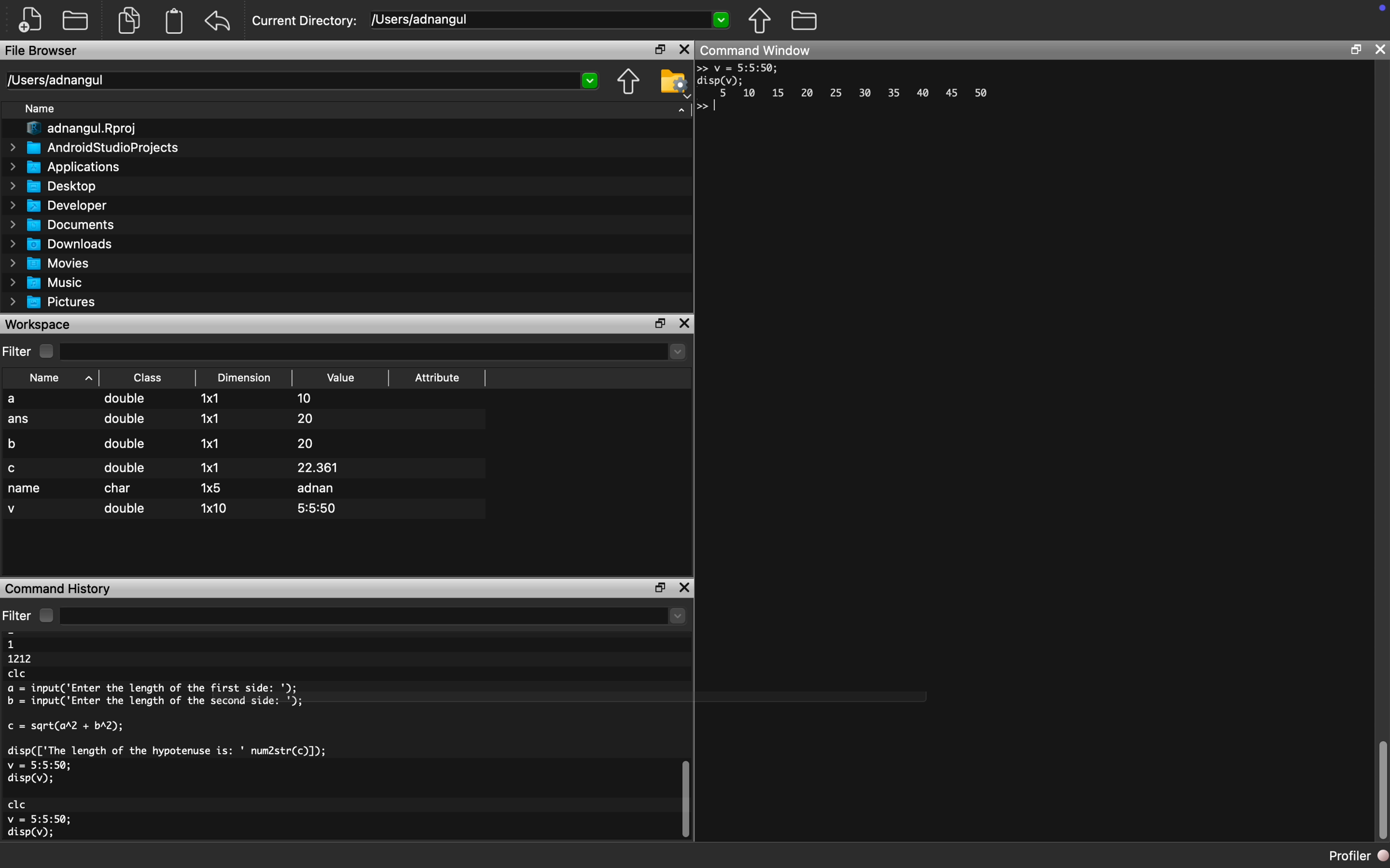 Image resolution: width=1390 pixels, height=868 pixels. I want to click on Previous Folder, so click(759, 20).